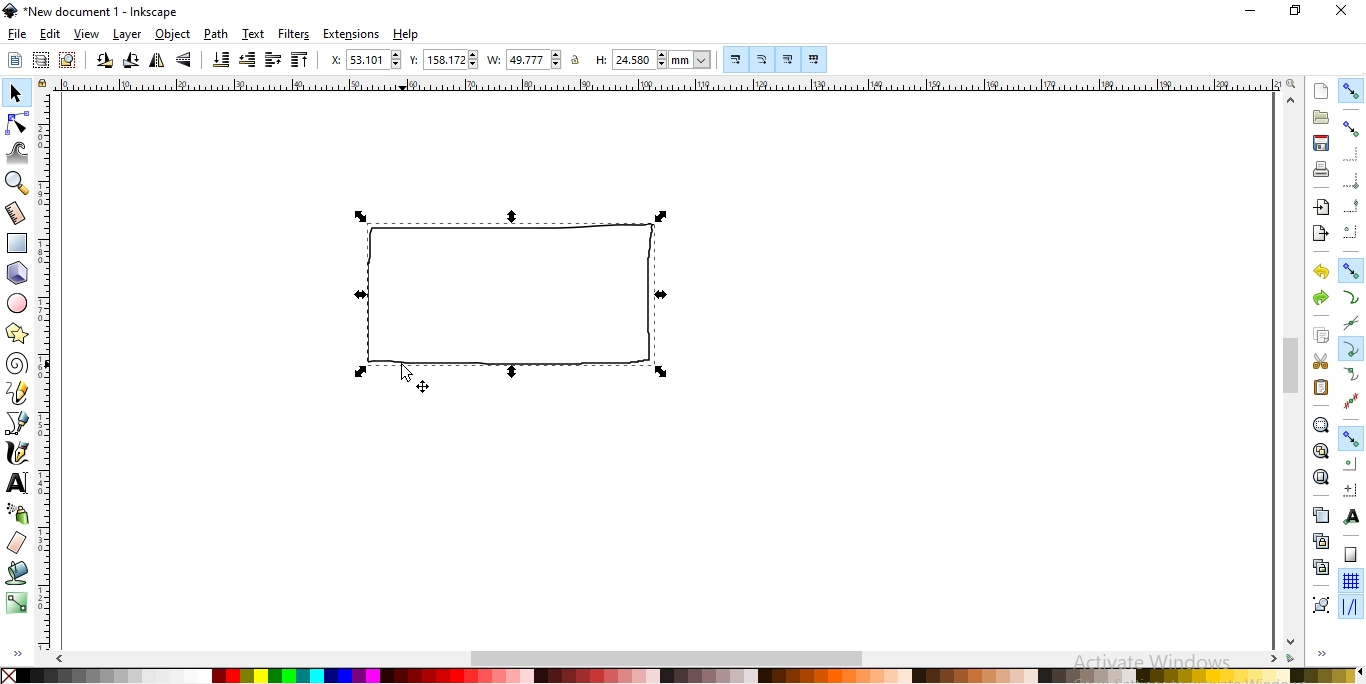  What do you see at coordinates (18, 364) in the screenshot?
I see `create spirals` at bounding box center [18, 364].